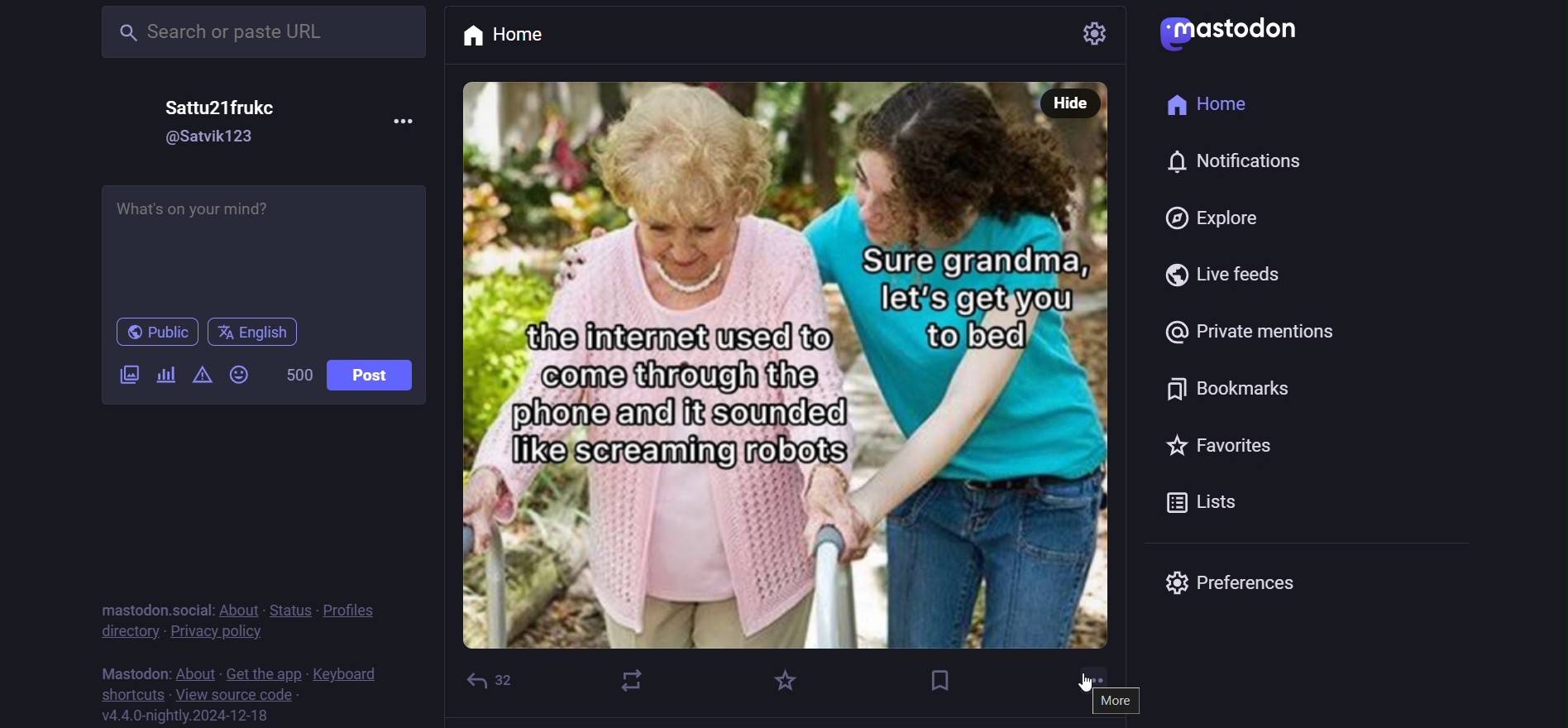 The image size is (1568, 728). I want to click on image/video, so click(129, 374).